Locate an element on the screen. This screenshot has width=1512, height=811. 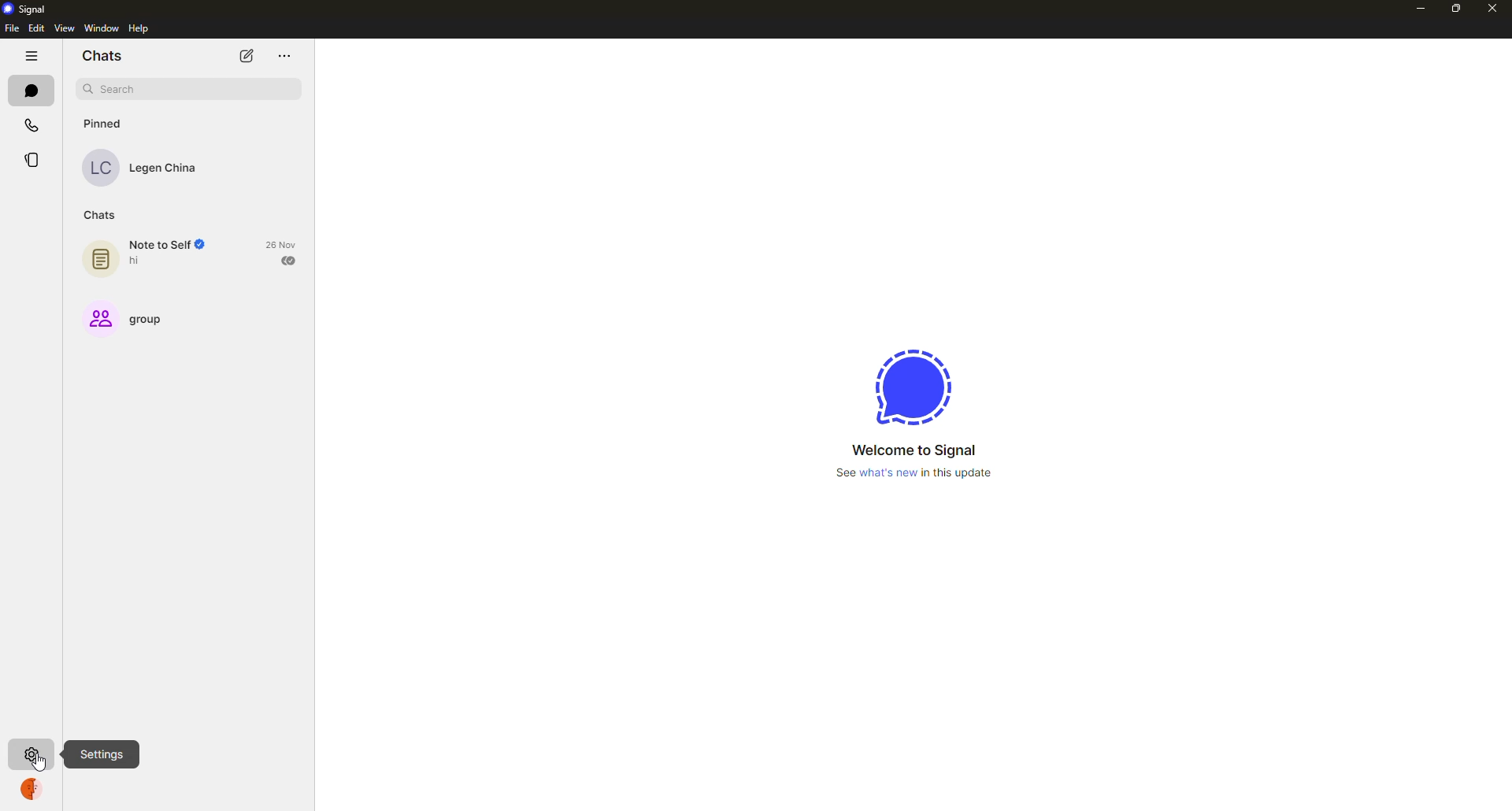
chats is located at coordinates (101, 216).